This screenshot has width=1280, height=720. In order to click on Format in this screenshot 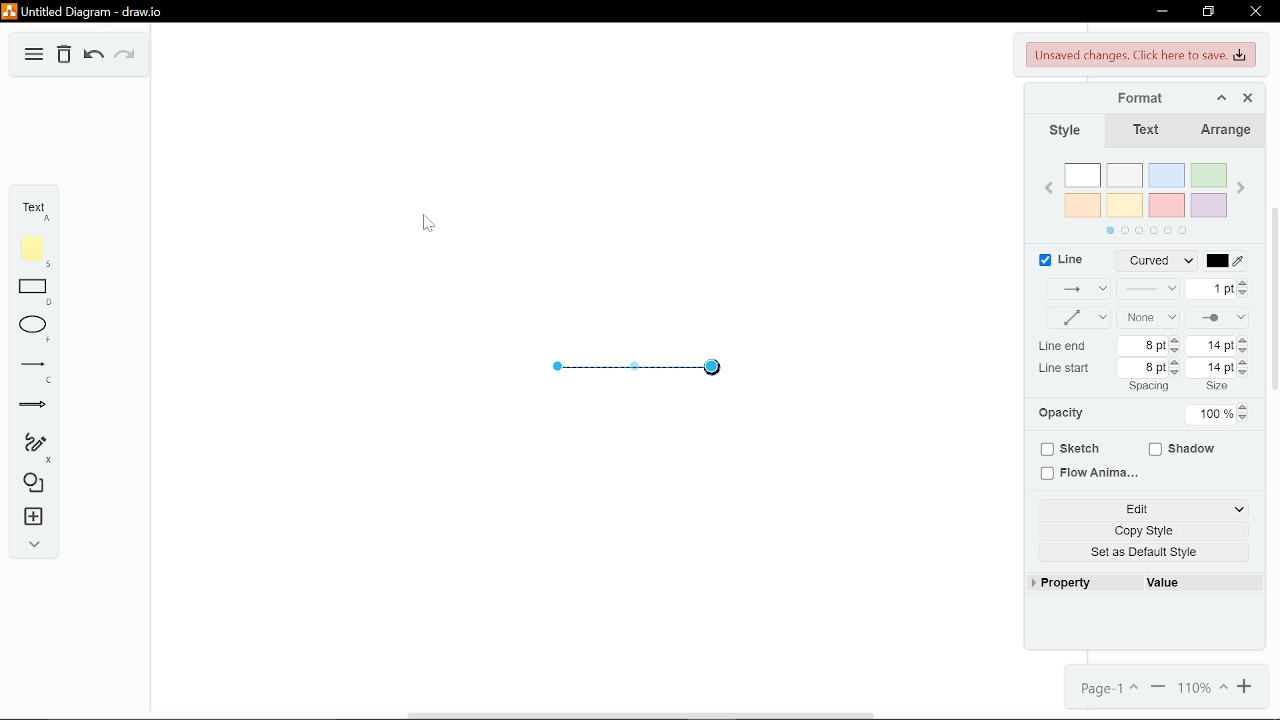, I will do `click(1130, 98)`.